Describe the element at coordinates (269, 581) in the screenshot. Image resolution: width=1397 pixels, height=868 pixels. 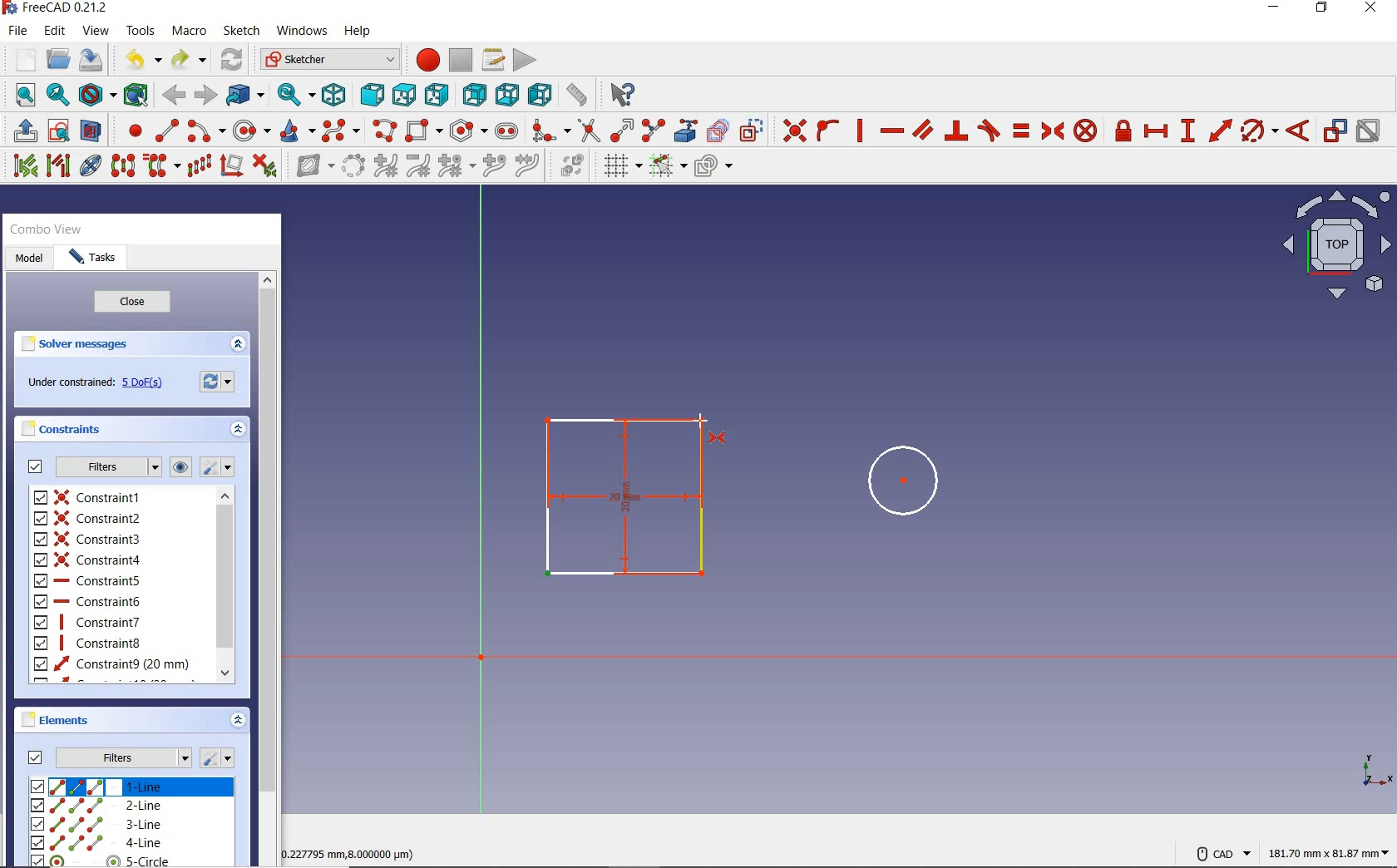
I see `scrollbar` at that location.